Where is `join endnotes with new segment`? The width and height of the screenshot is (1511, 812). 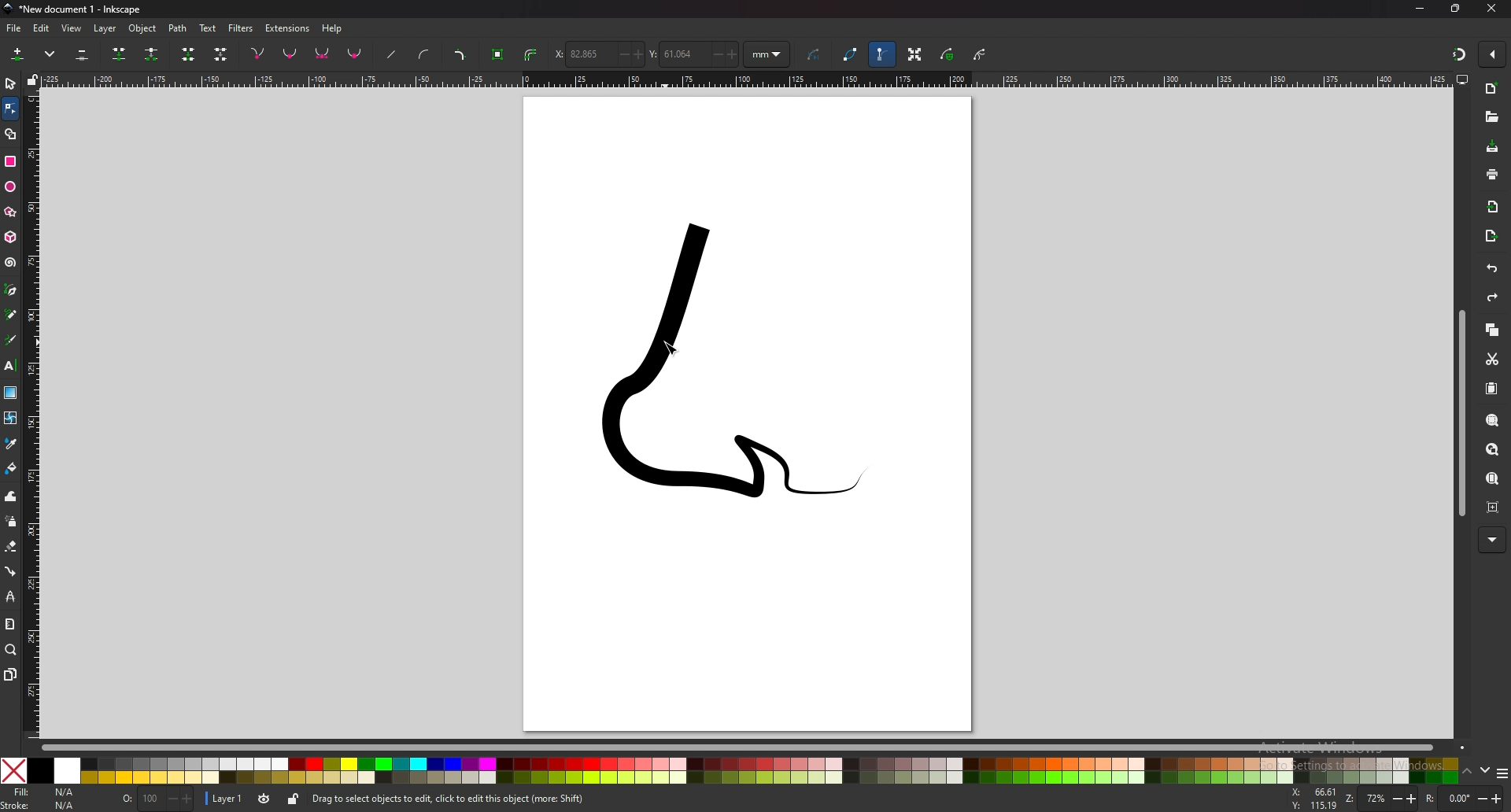
join endnotes with new segment is located at coordinates (187, 56).